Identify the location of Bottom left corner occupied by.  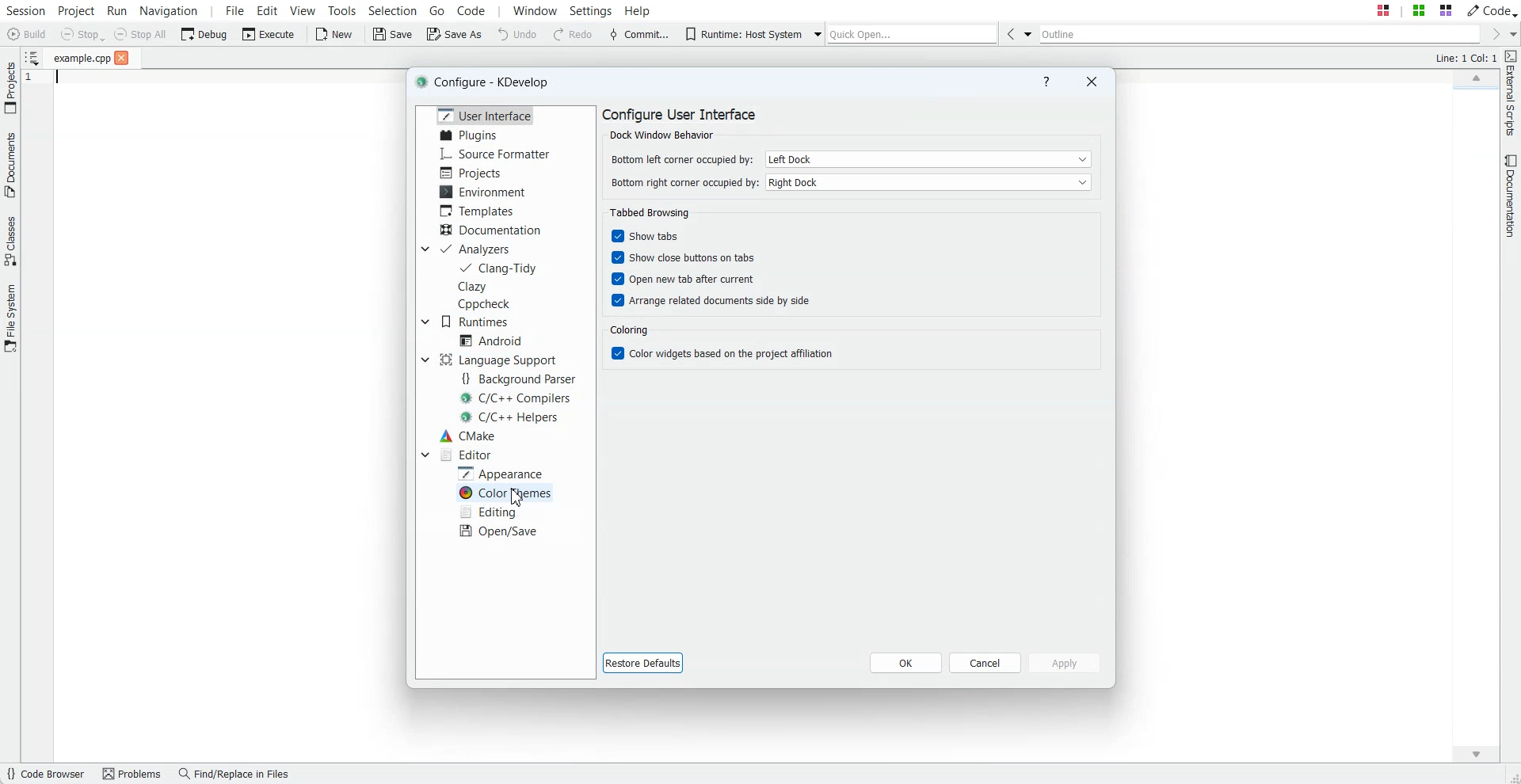
(680, 158).